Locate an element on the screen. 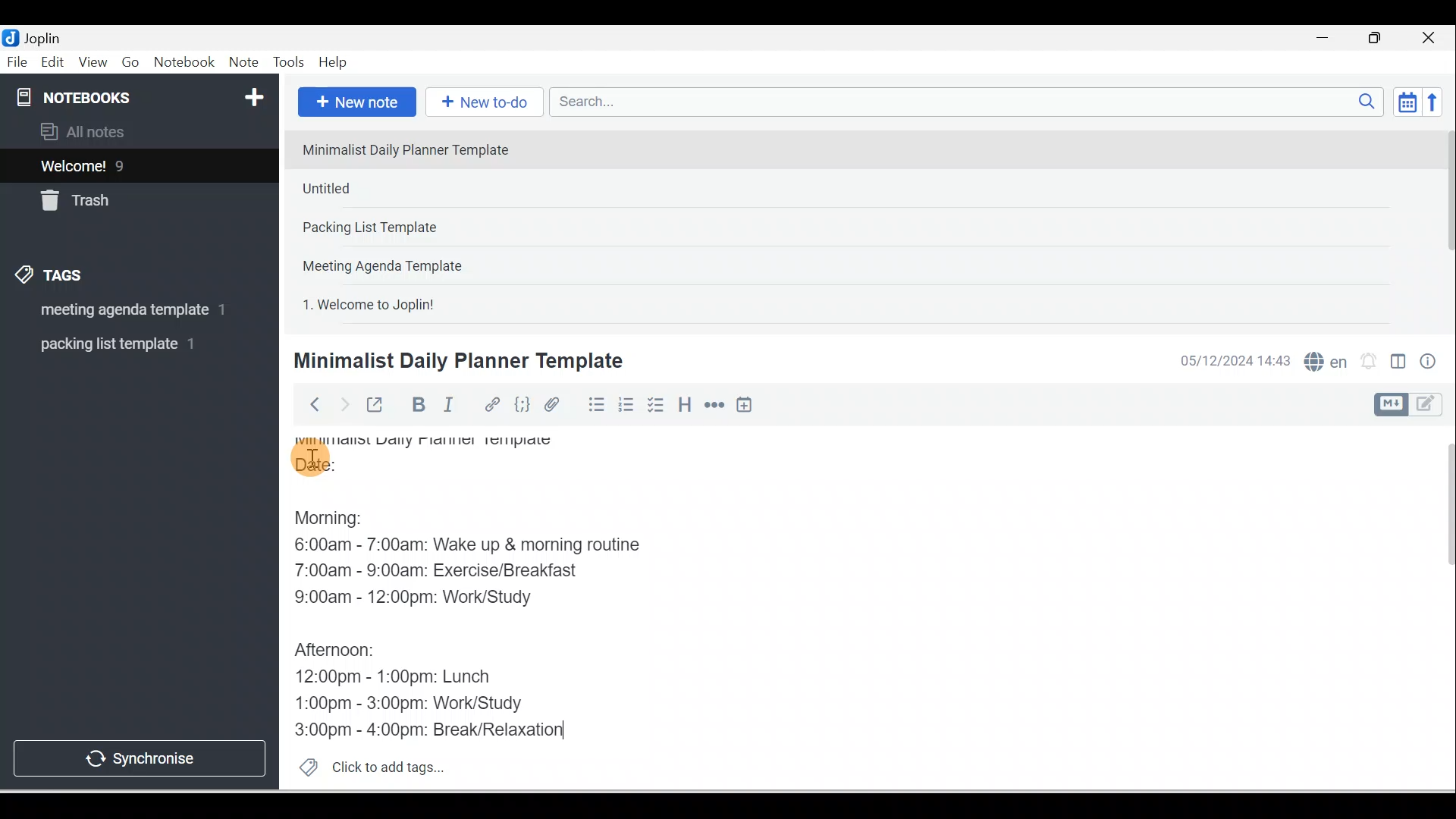 Image resolution: width=1456 pixels, height=819 pixels. Tag 1 is located at coordinates (119, 311).